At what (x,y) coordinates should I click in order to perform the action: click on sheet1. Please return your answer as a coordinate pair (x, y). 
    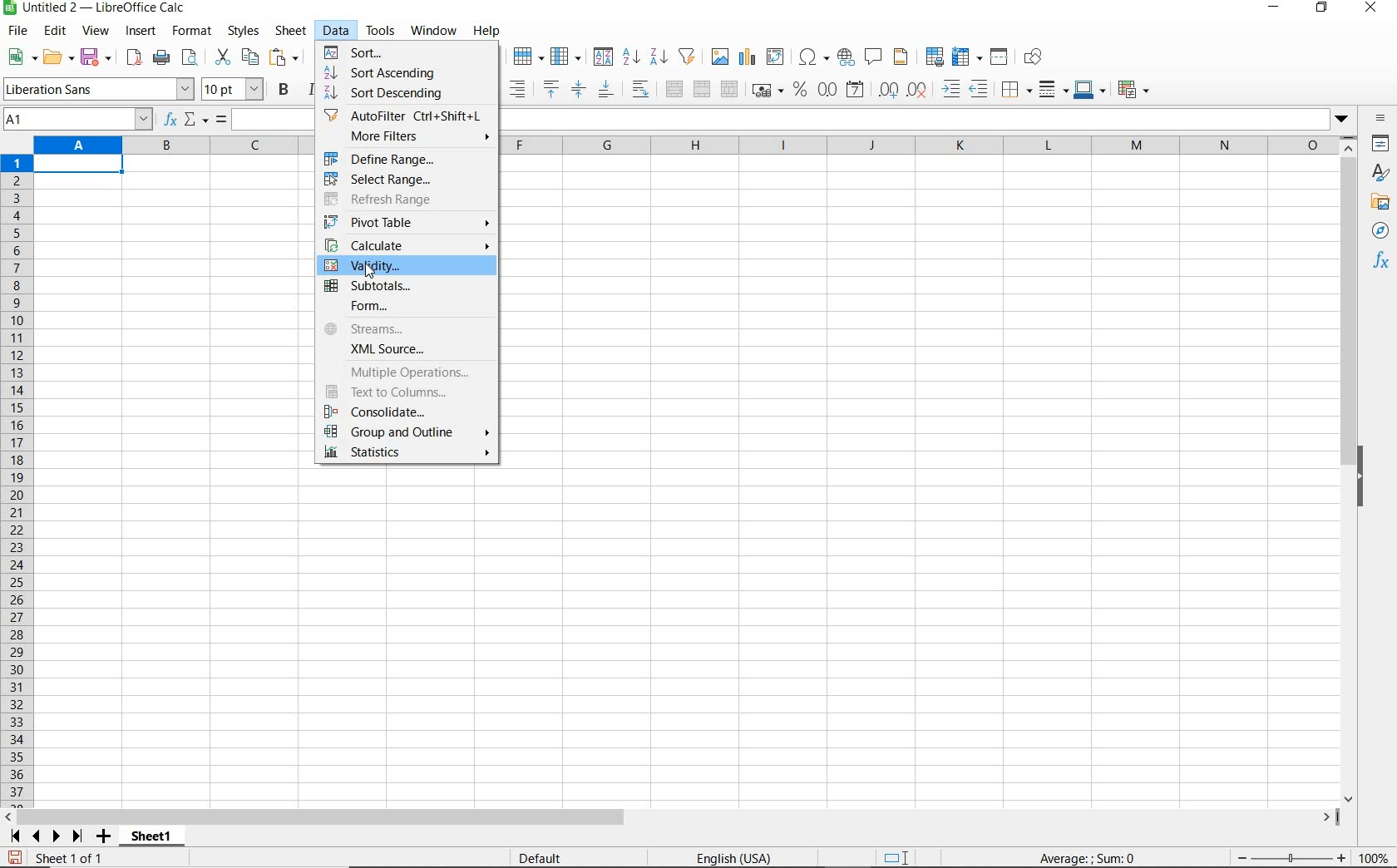
    Looking at the image, I should click on (151, 839).